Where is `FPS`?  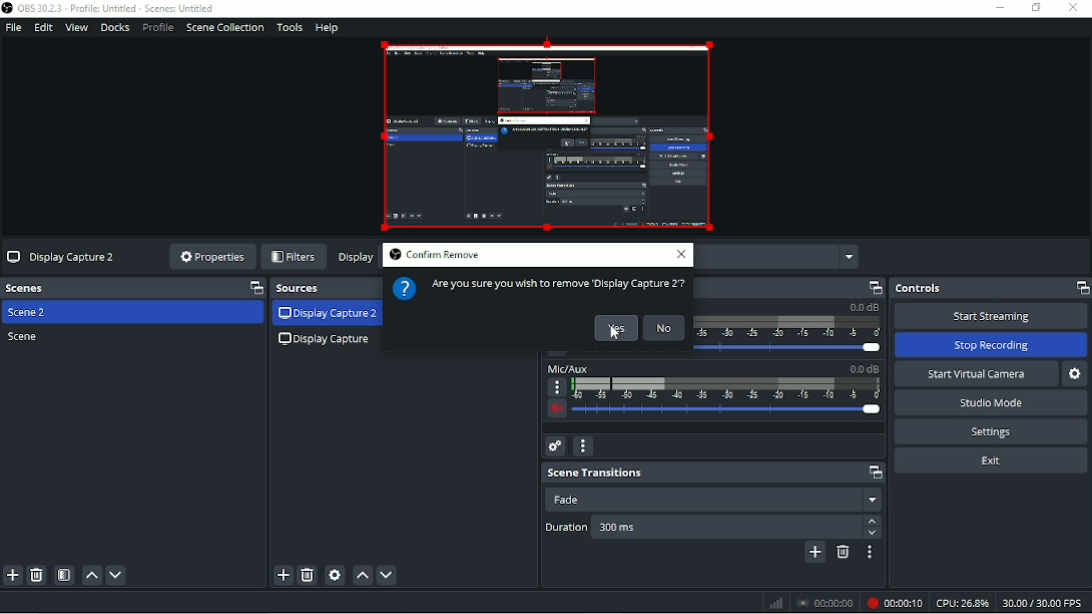
FPS is located at coordinates (1044, 604).